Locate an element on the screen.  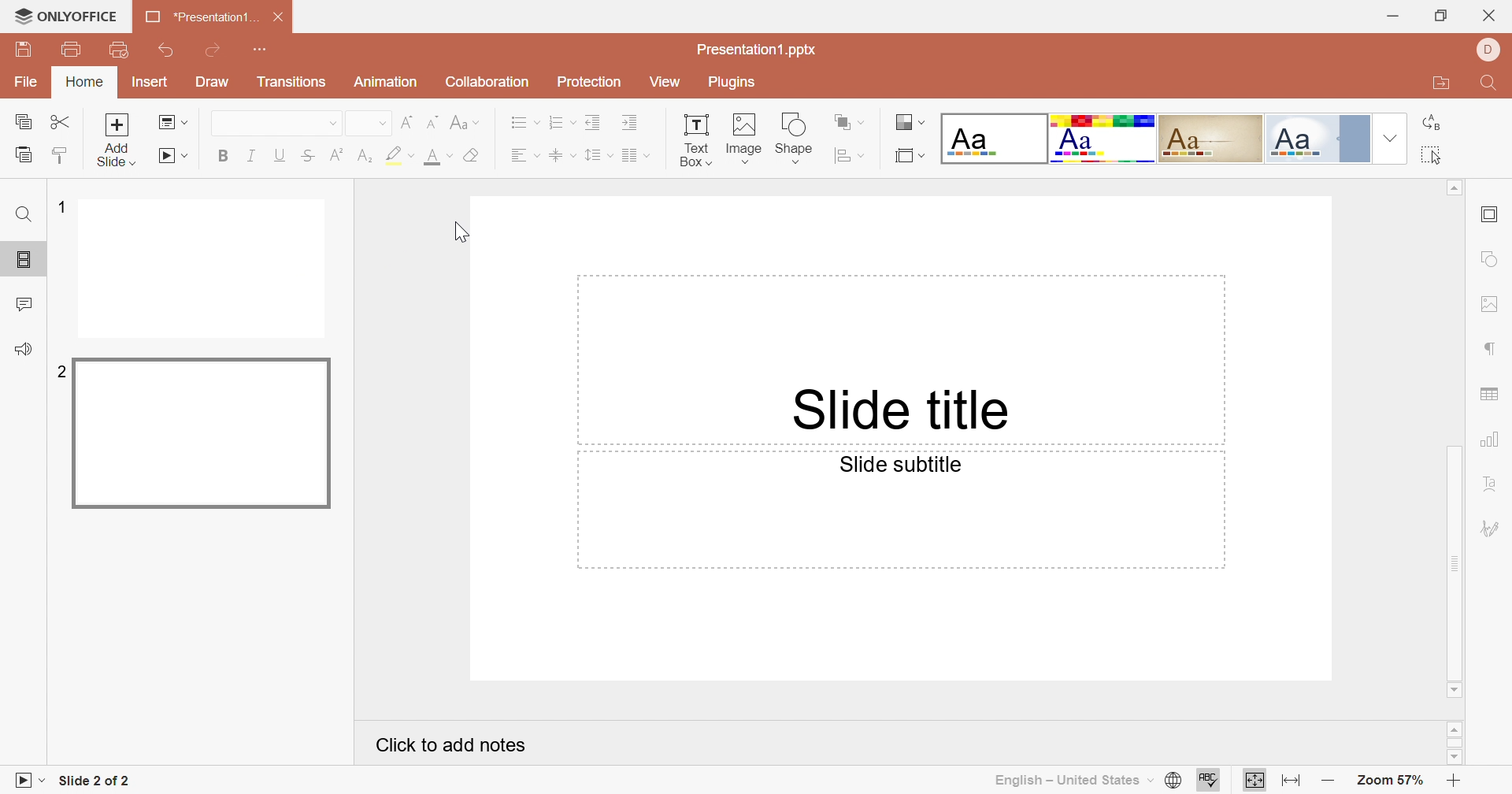
Presentation1.pptx is located at coordinates (758, 50).